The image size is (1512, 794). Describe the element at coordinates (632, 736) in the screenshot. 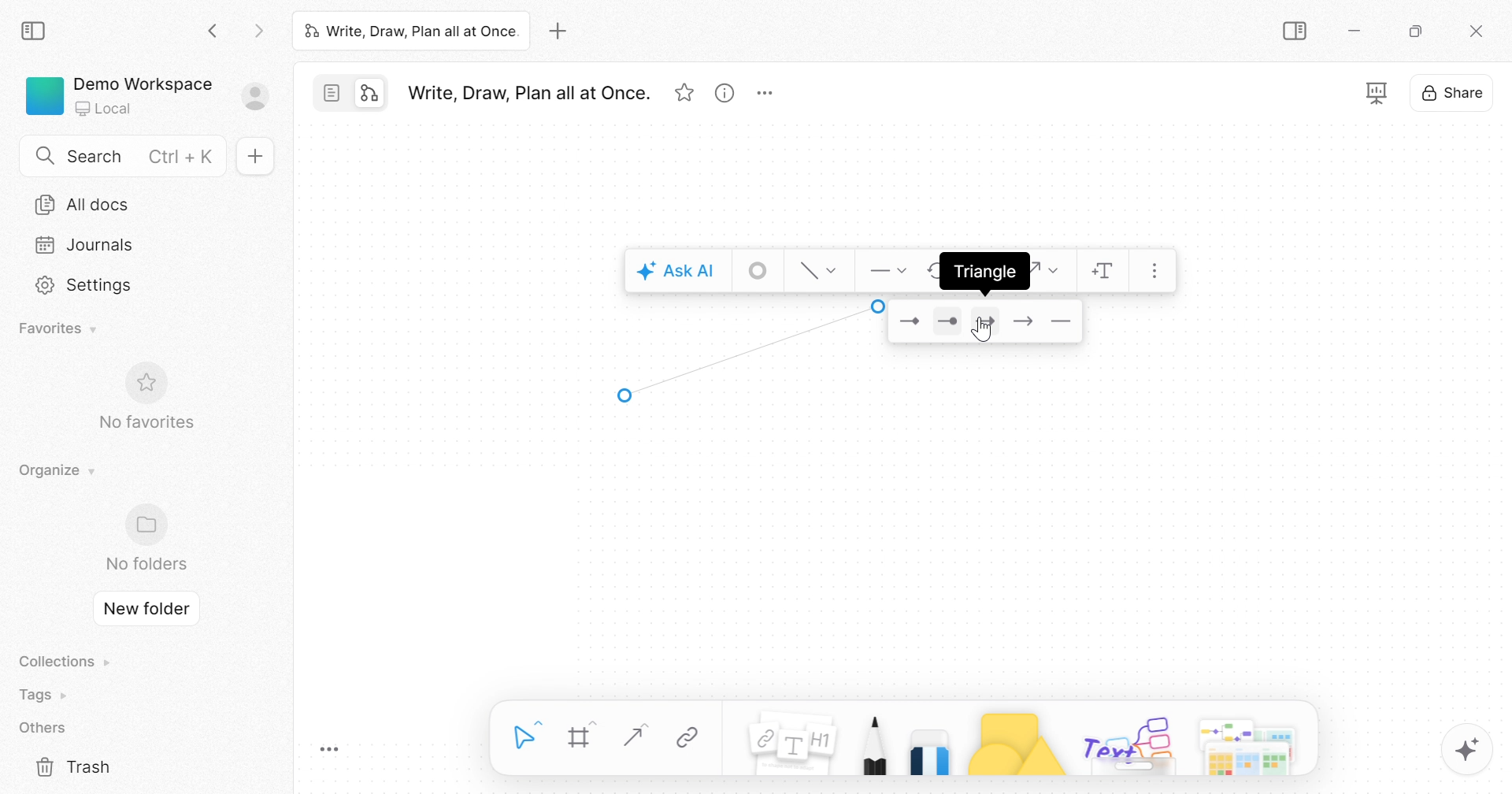

I see `Straight` at that location.